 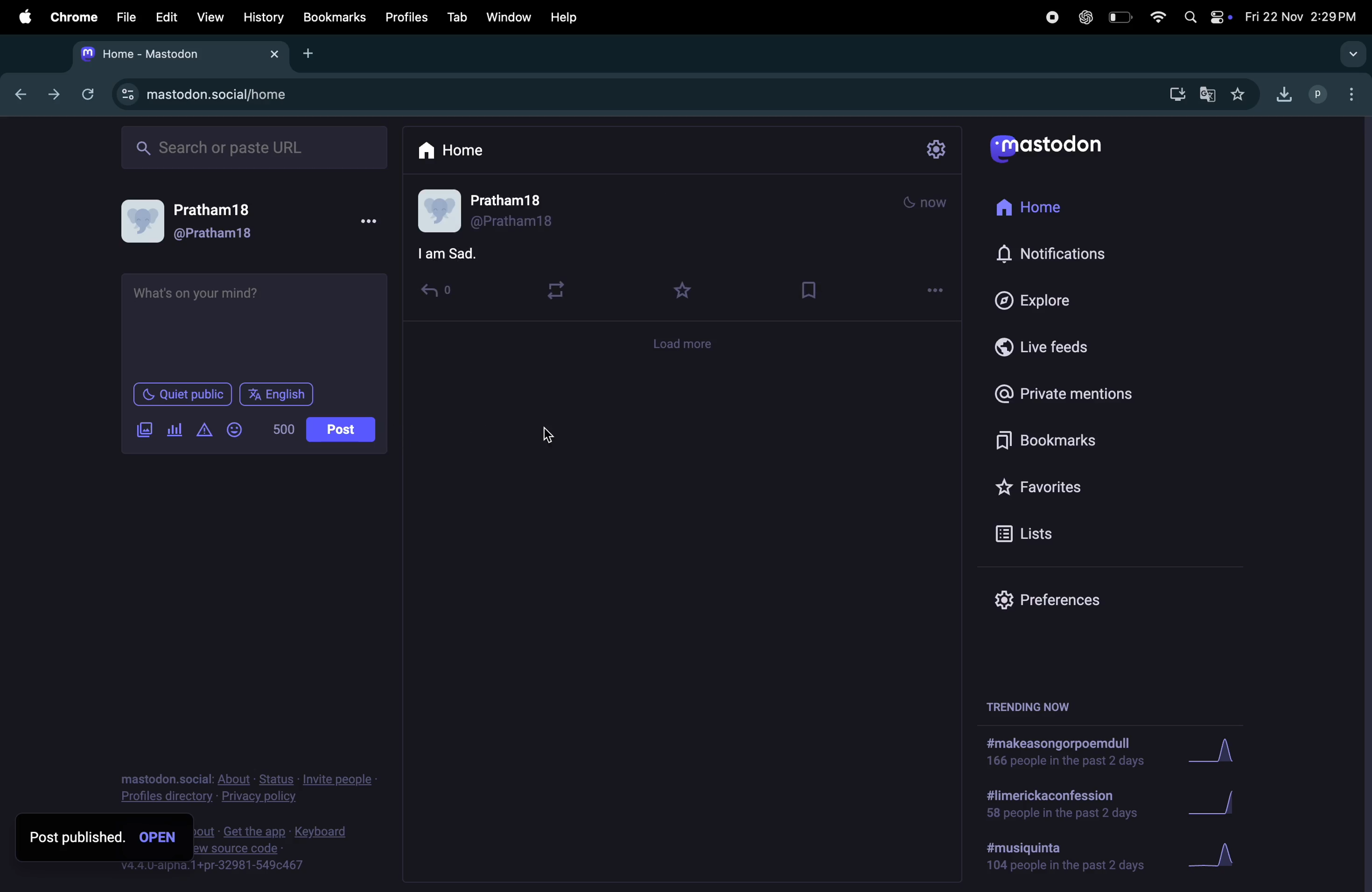 What do you see at coordinates (1036, 705) in the screenshot?
I see `trending now` at bounding box center [1036, 705].